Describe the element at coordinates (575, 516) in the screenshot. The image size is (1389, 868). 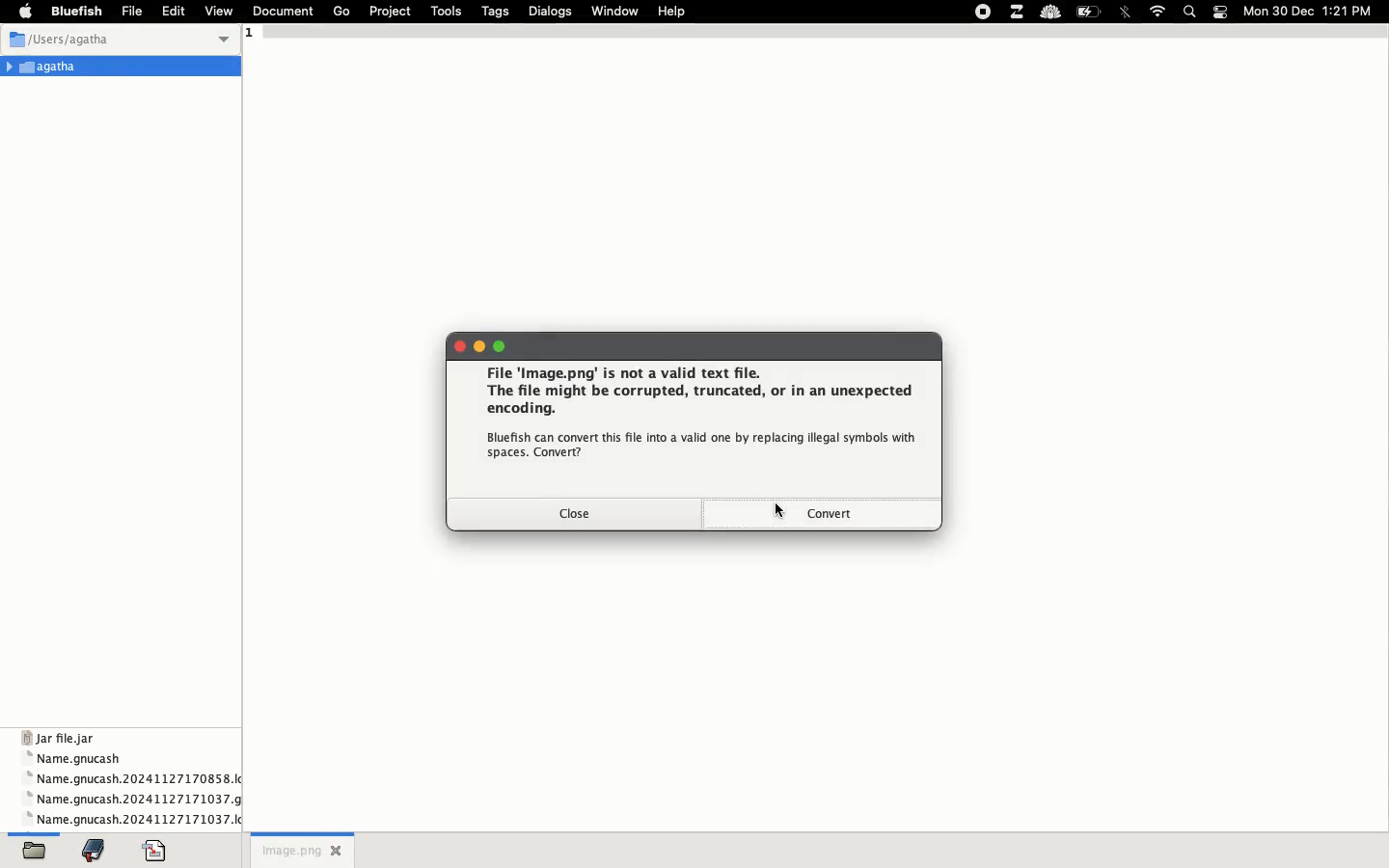
I see `close` at that location.